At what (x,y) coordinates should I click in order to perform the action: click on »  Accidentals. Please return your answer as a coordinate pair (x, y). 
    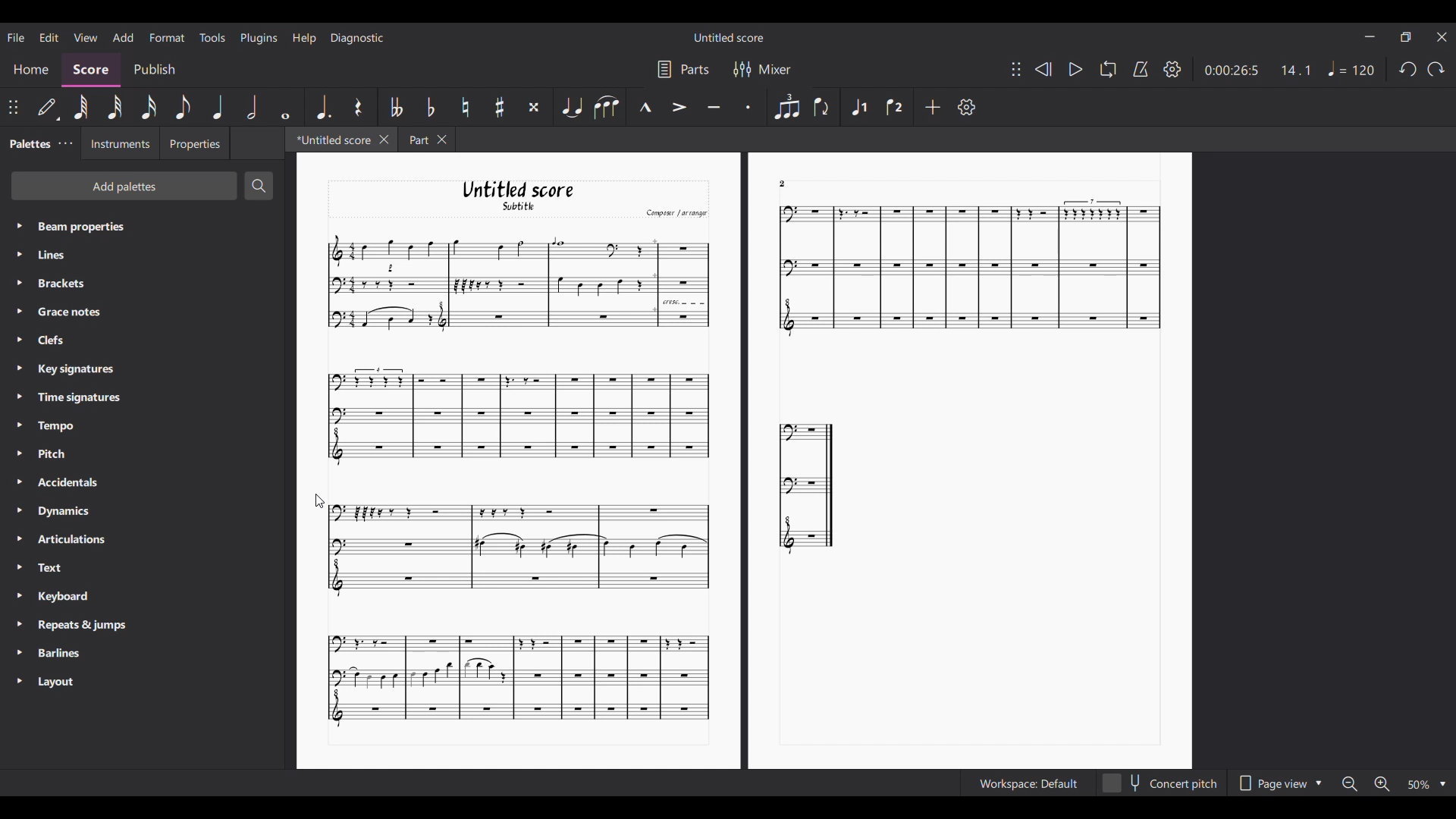
    Looking at the image, I should click on (63, 485).